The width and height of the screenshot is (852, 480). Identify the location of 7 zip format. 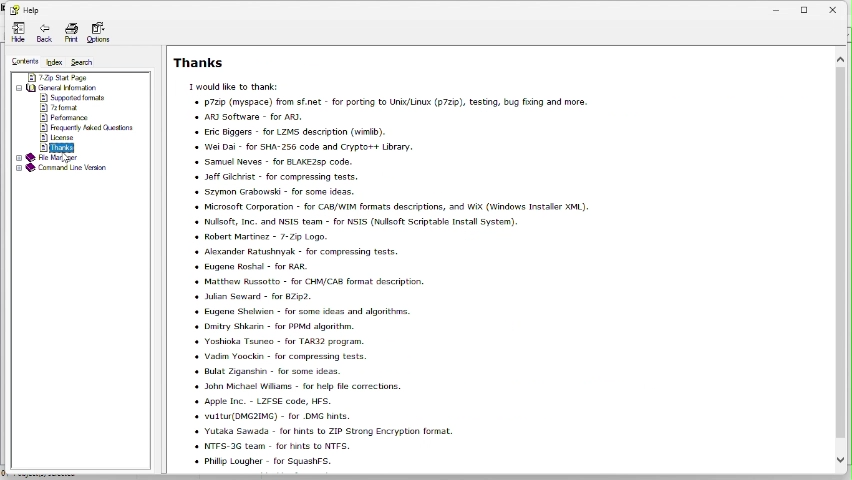
(61, 107).